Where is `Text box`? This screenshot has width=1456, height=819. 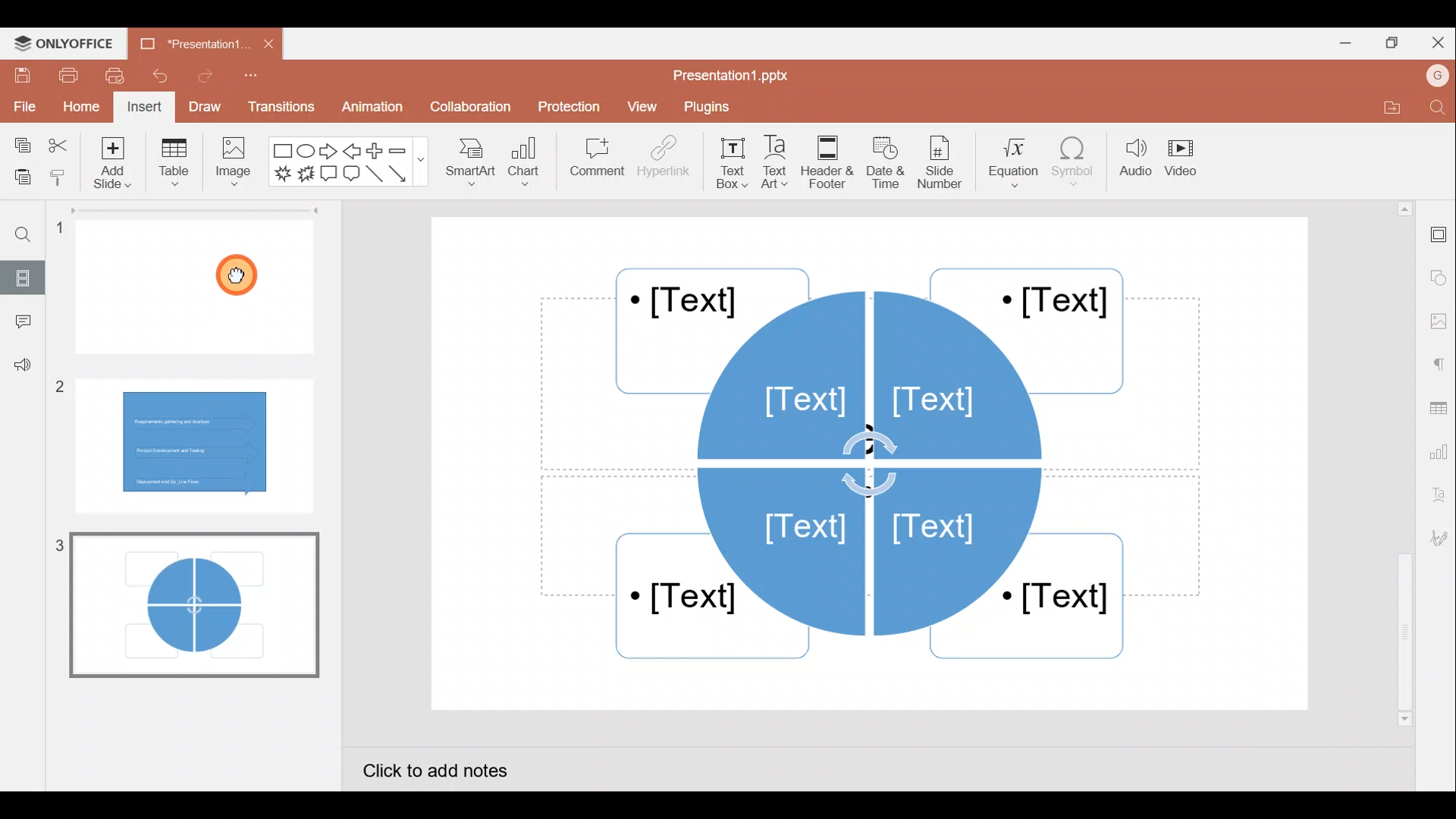
Text box is located at coordinates (728, 163).